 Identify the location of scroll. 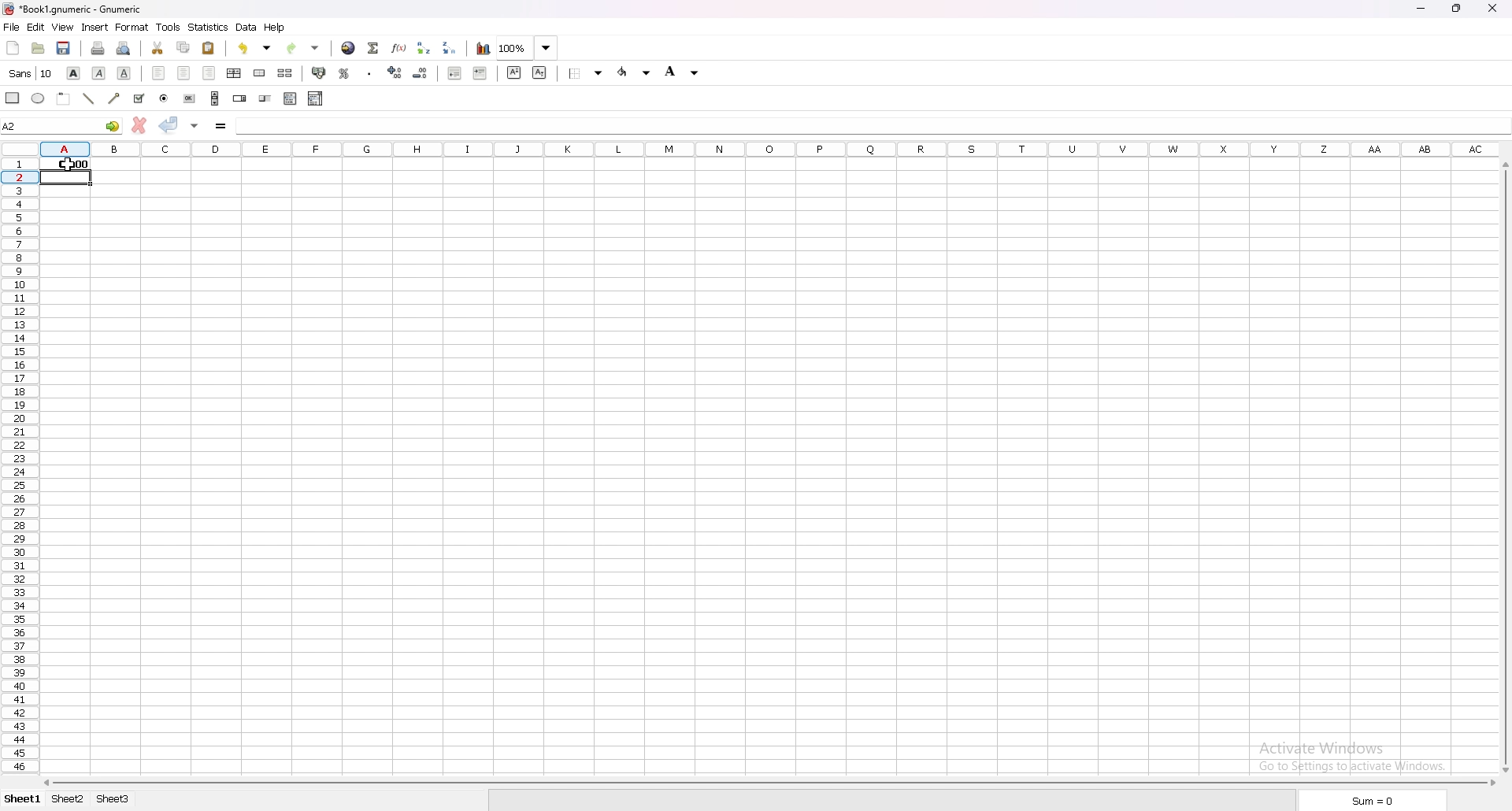
(215, 98).